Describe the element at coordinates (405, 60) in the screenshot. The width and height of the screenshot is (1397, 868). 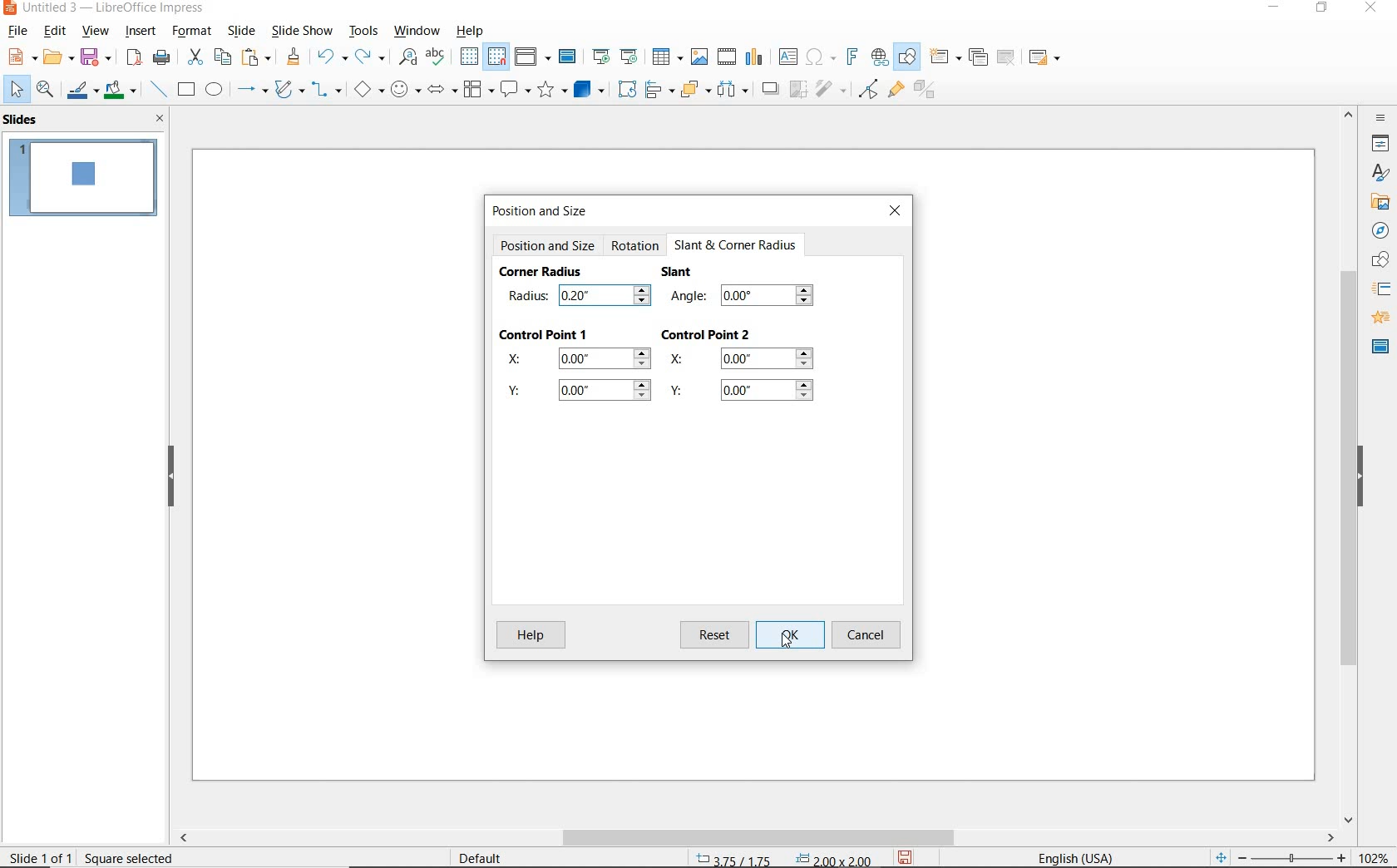
I see `find and replace` at that location.